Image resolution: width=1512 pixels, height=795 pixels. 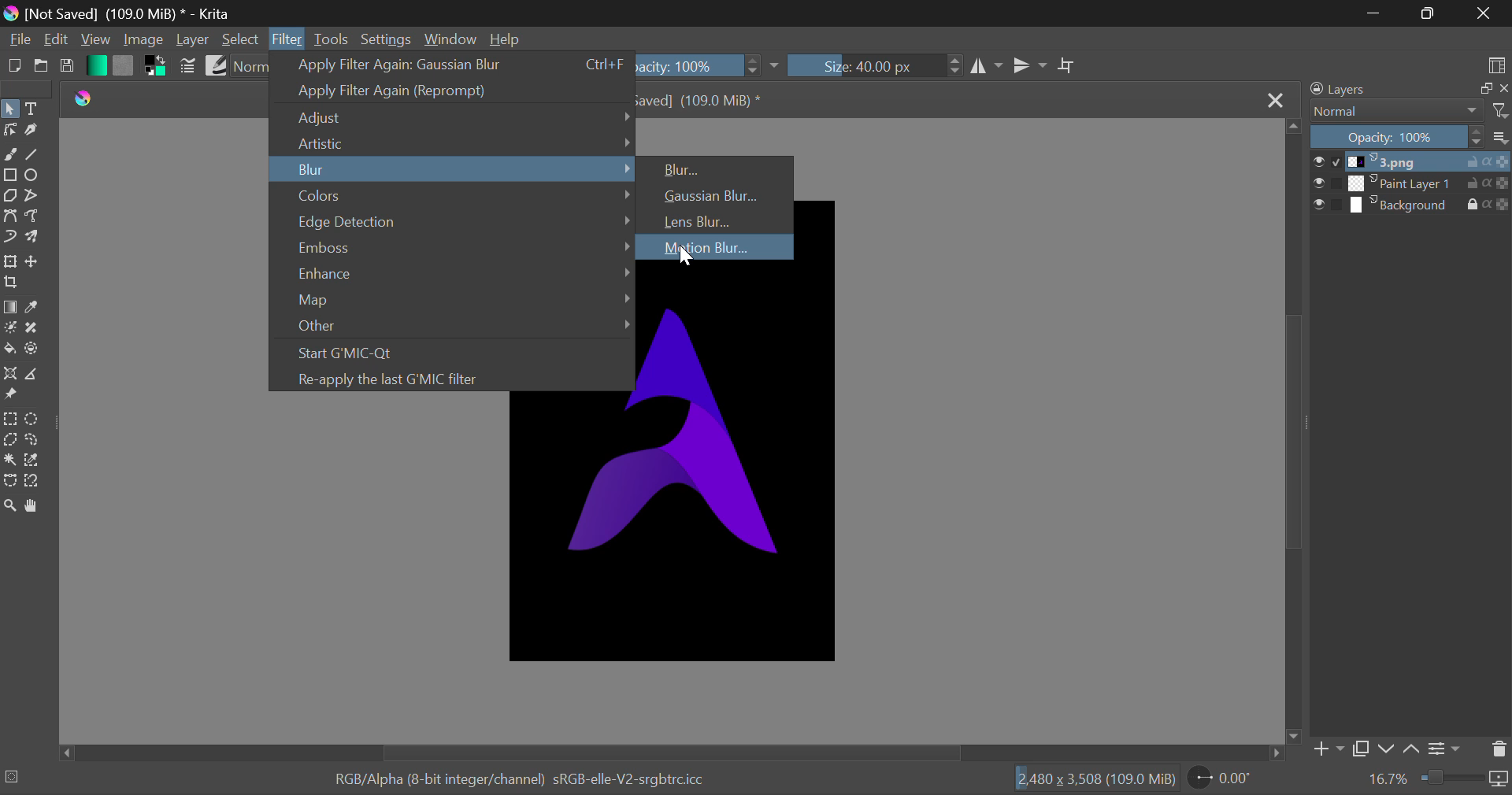 I want to click on Delete Layer, so click(x=1498, y=749).